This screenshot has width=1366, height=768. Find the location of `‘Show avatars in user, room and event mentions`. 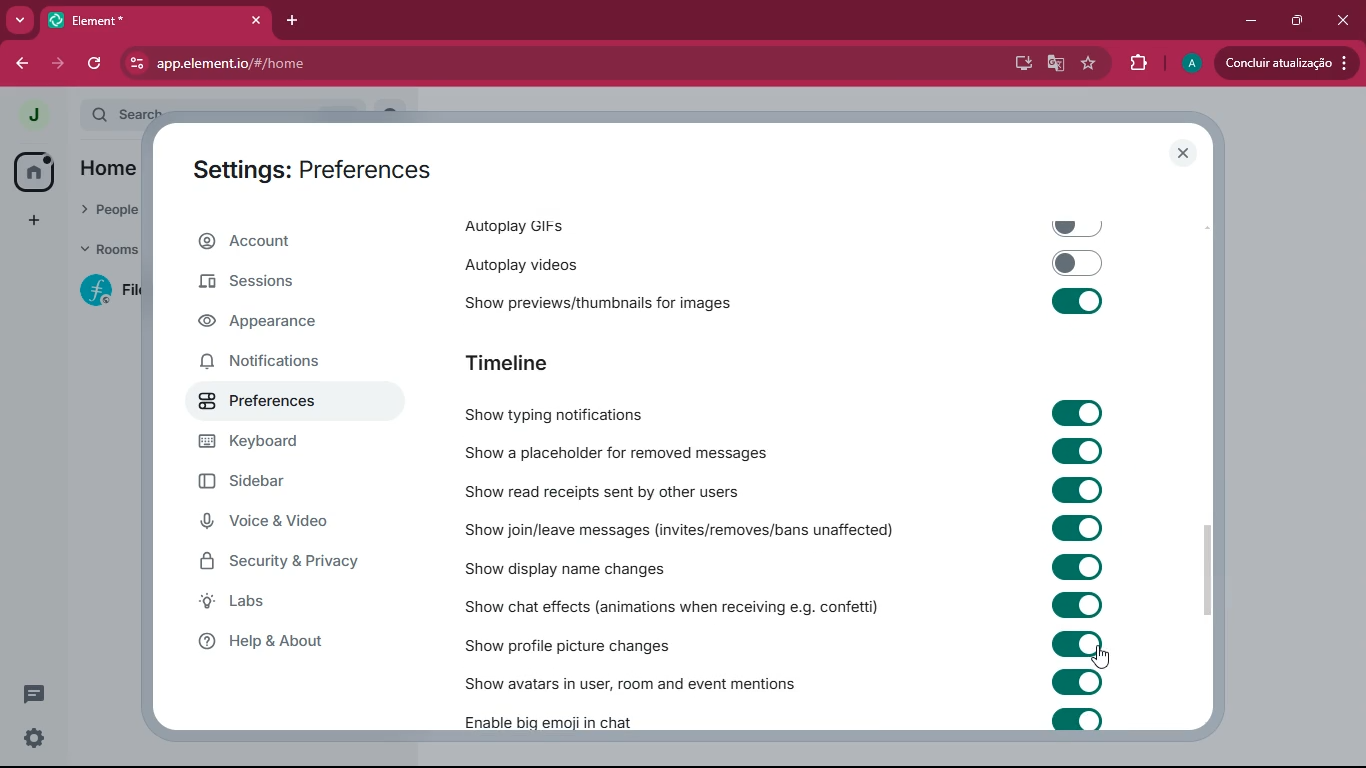

‘Show avatars in user, room and event mentions is located at coordinates (784, 682).